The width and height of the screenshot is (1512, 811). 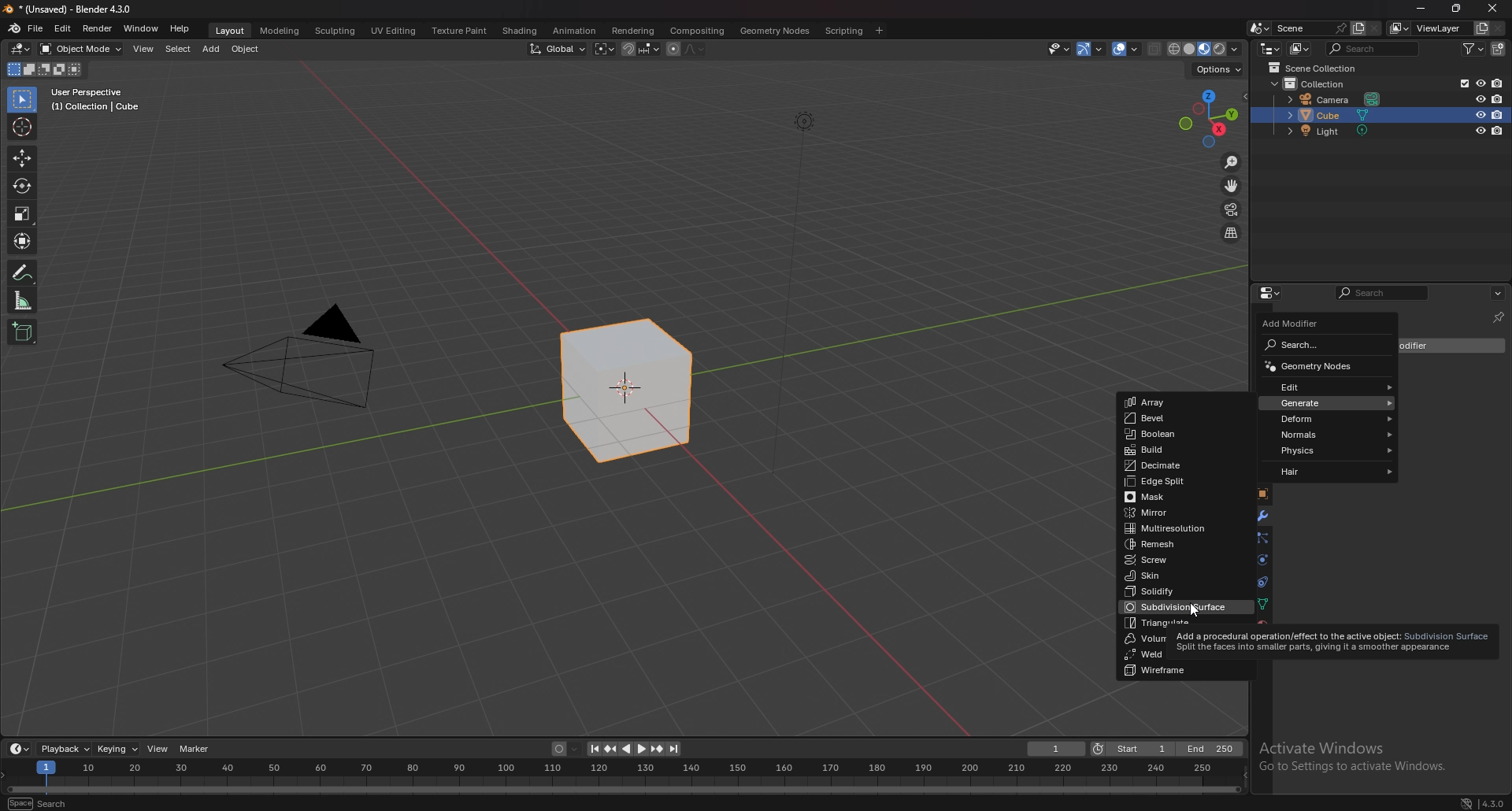 I want to click on scene collection, so click(x=1319, y=68).